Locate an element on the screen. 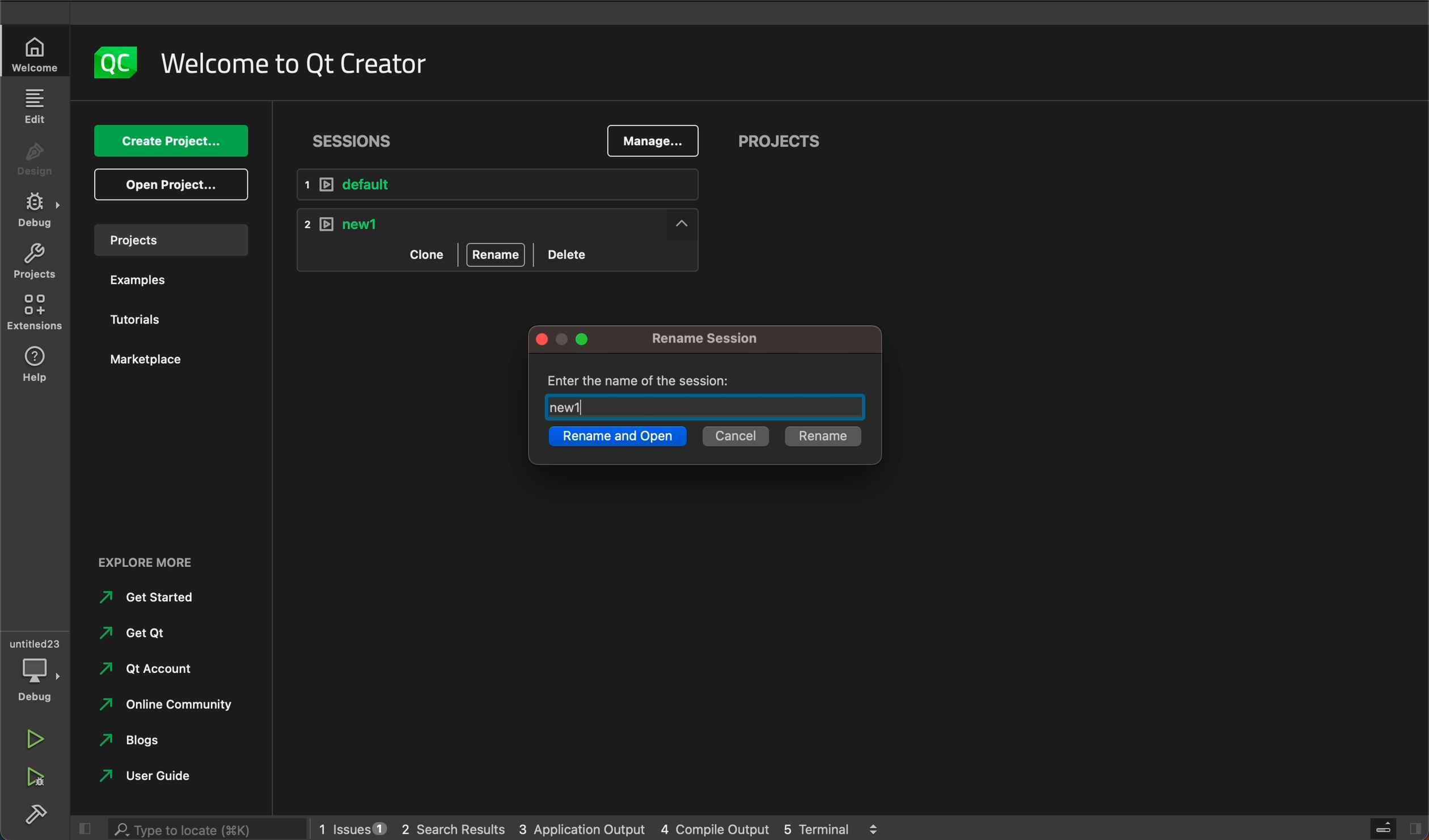  get started is located at coordinates (151, 597).